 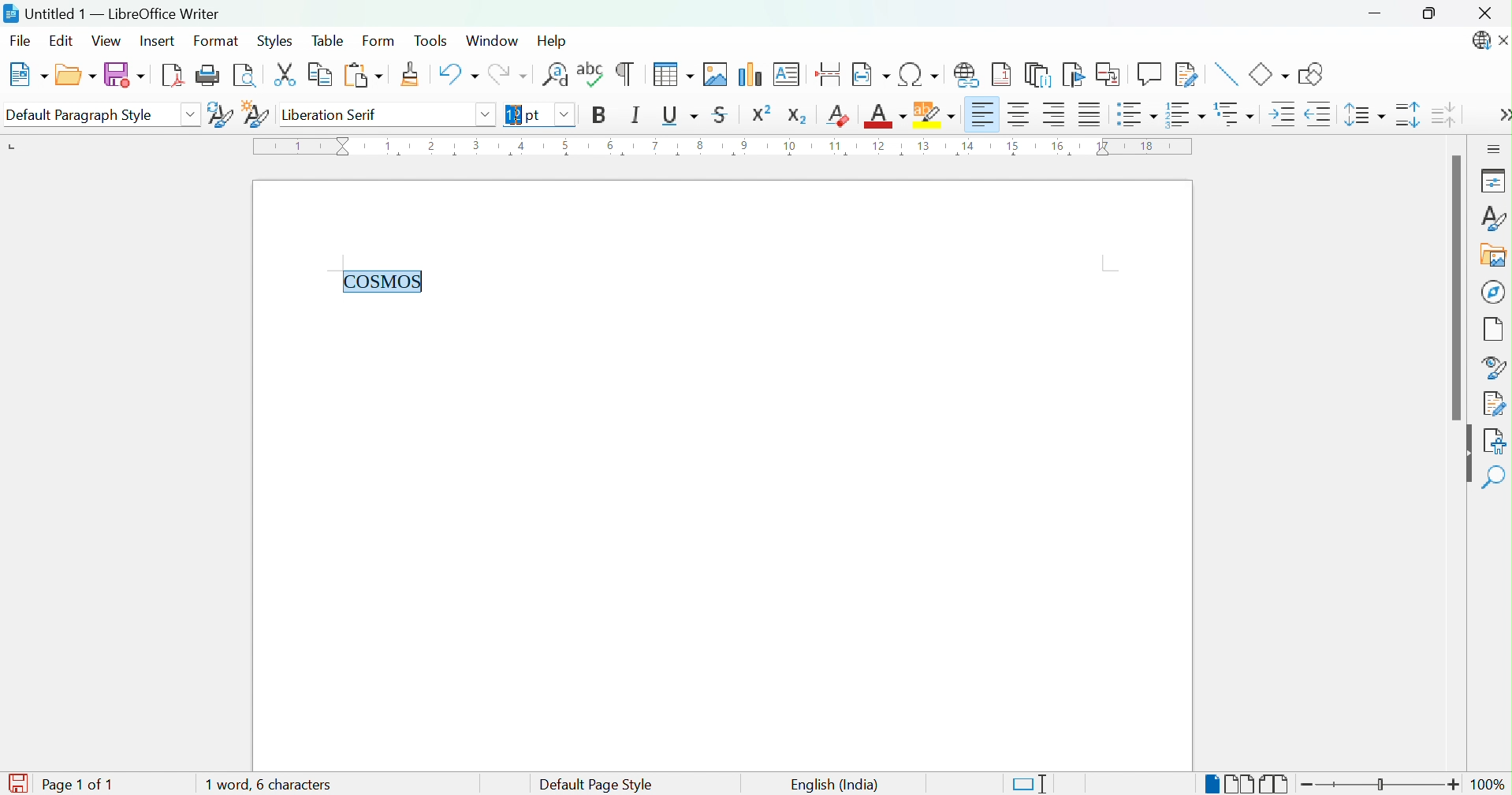 What do you see at coordinates (1494, 366) in the screenshot?
I see `Style Inspector` at bounding box center [1494, 366].